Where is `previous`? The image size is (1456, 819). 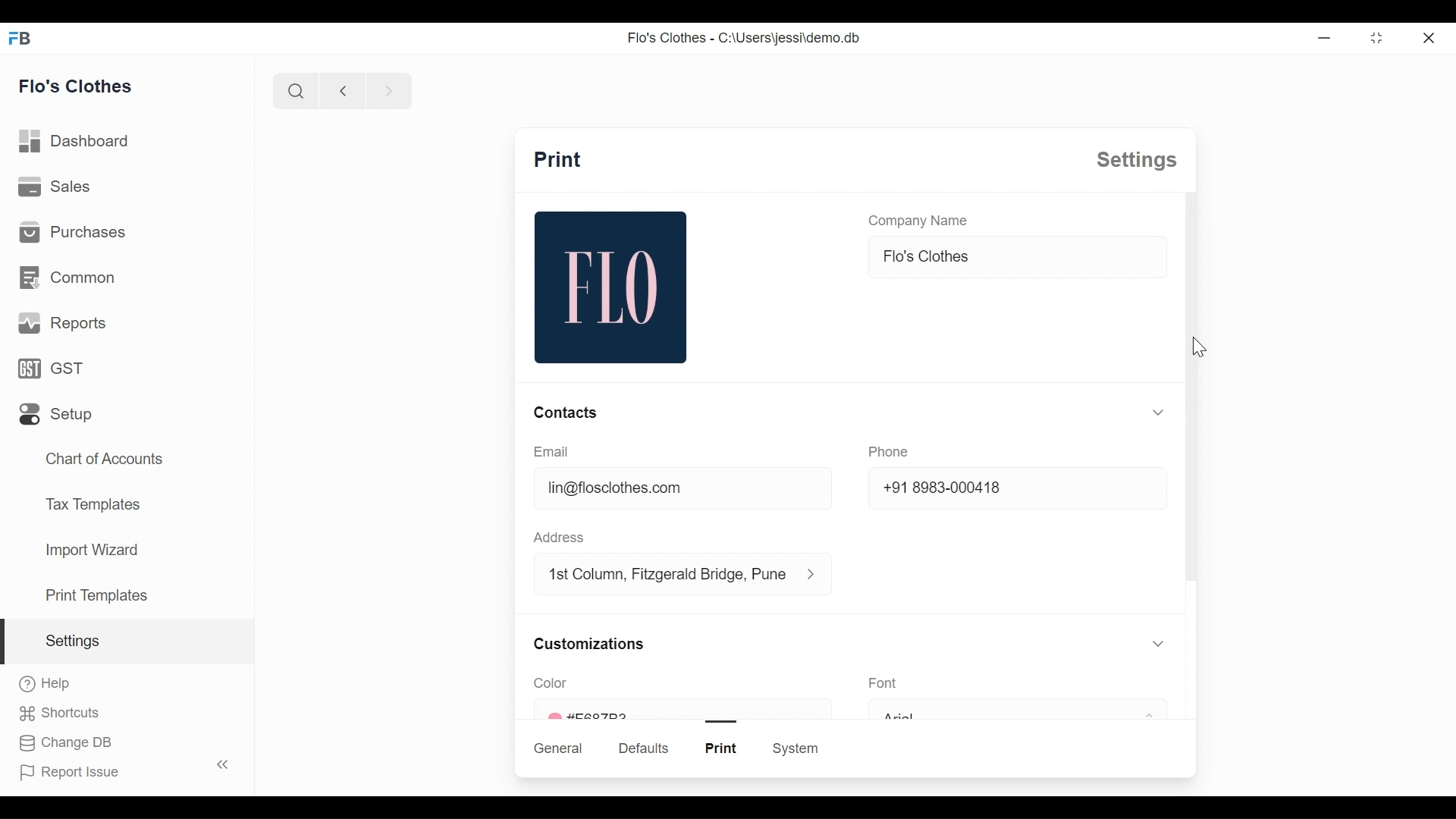 previous is located at coordinates (343, 90).